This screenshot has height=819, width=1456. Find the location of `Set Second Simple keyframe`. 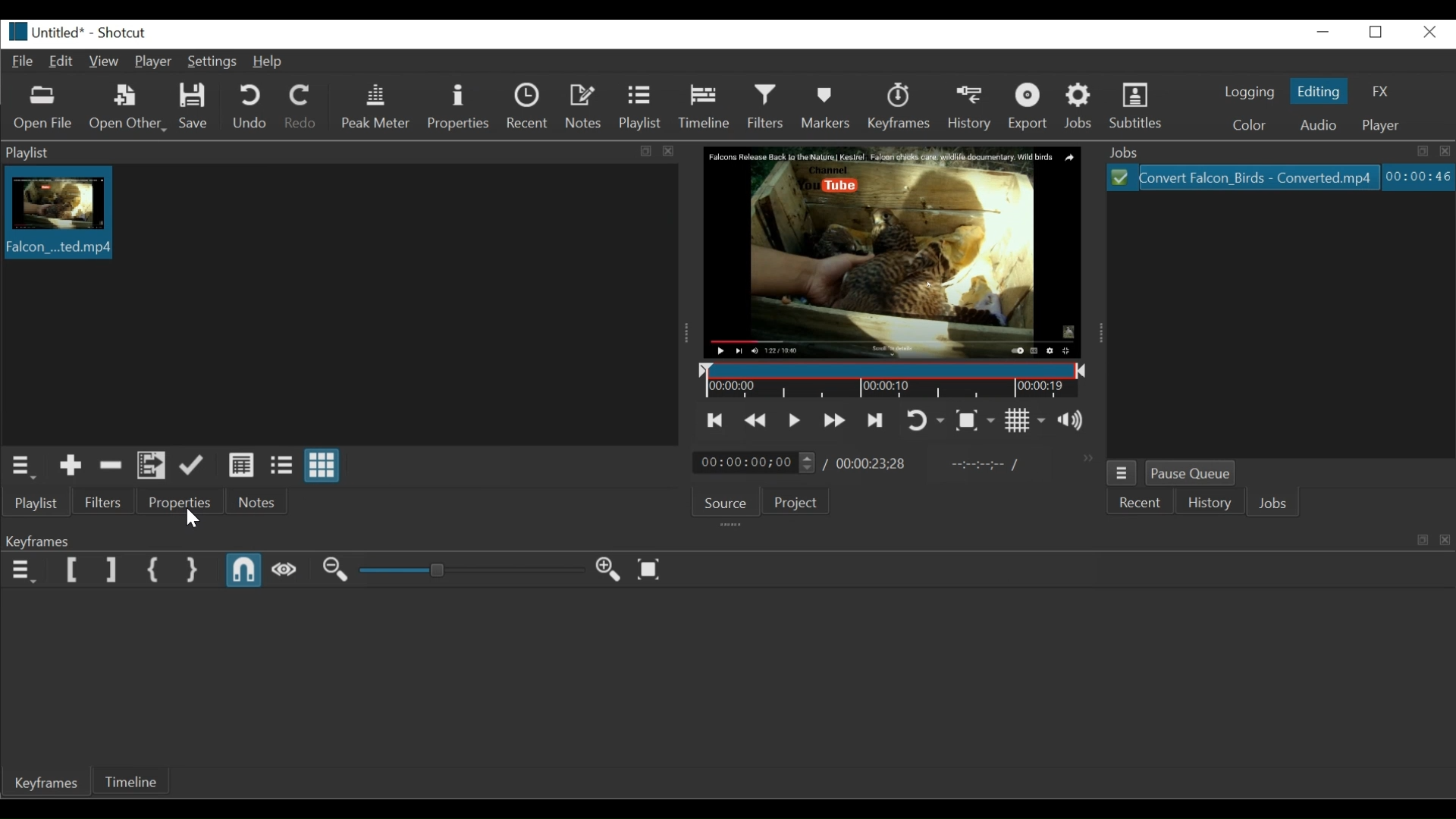

Set Second Simple keyframe is located at coordinates (193, 570).